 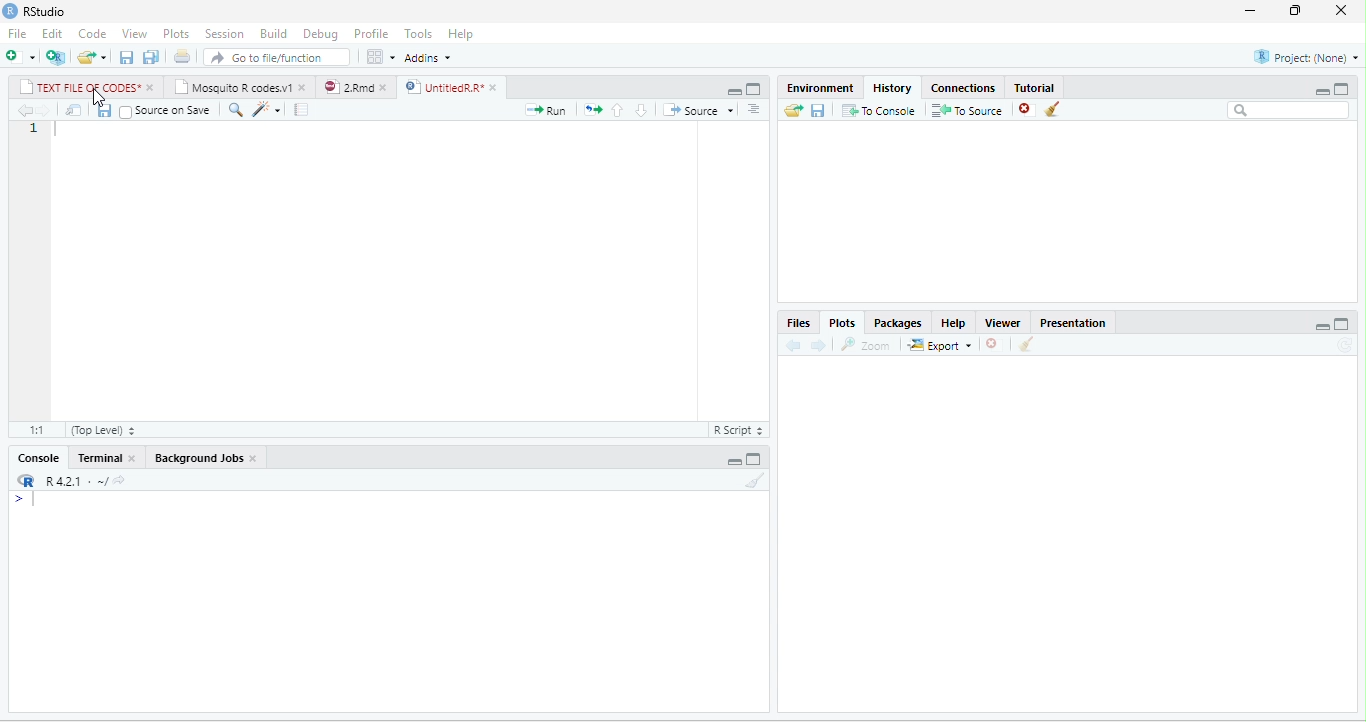 I want to click on logo, so click(x=11, y=10).